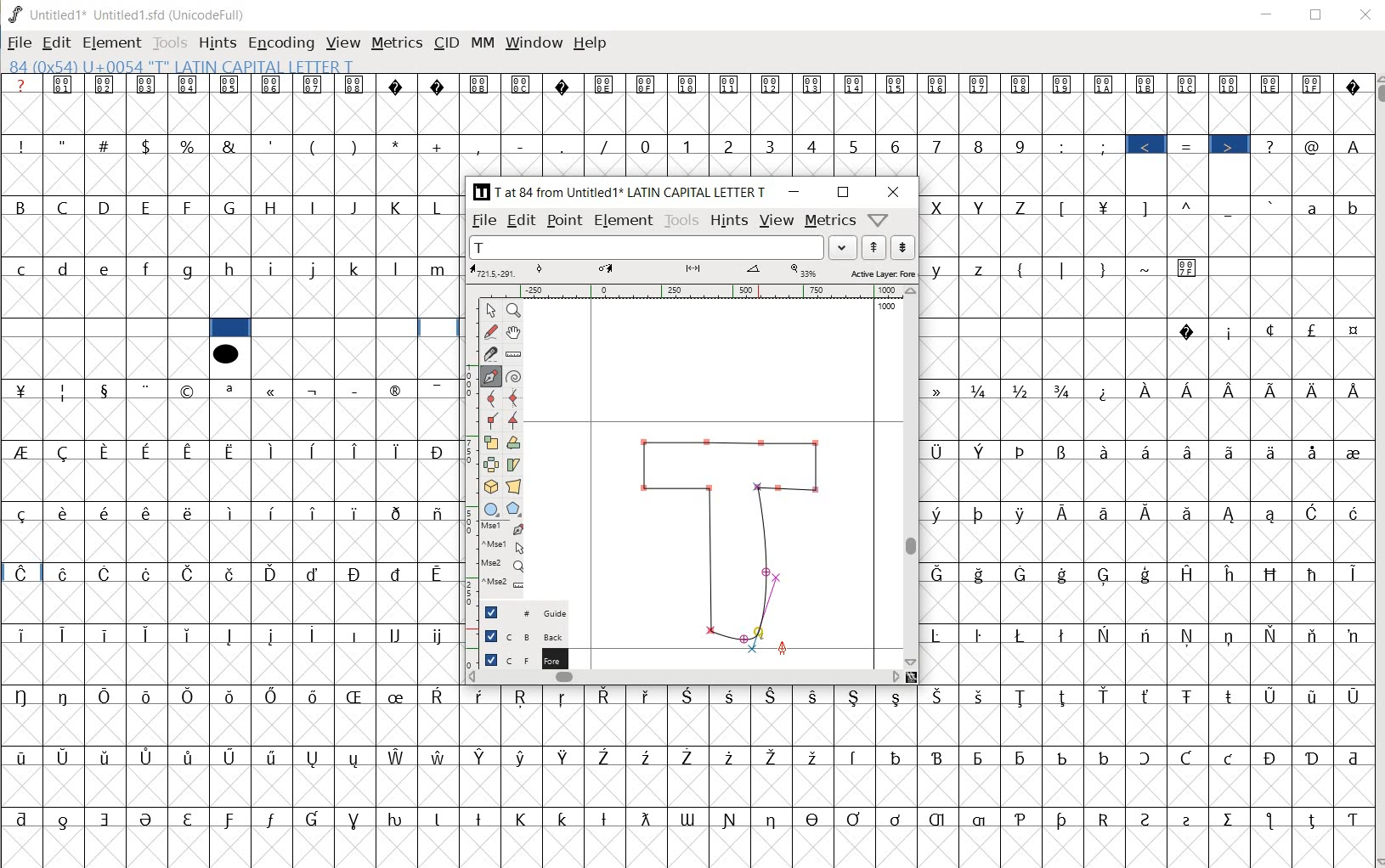 The image size is (1385, 868). What do you see at coordinates (64, 757) in the screenshot?
I see `Symbol` at bounding box center [64, 757].